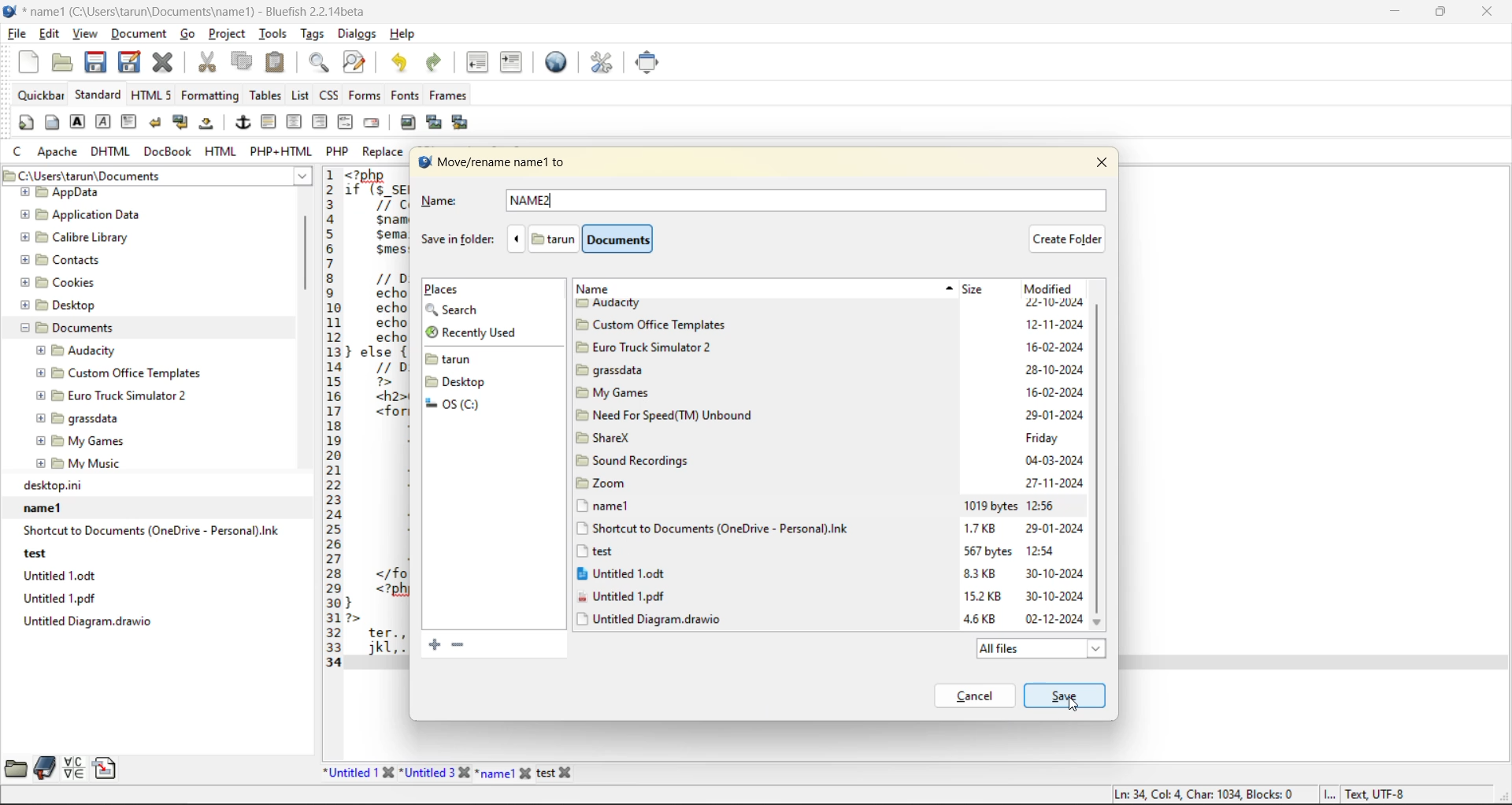 The image size is (1512, 805). Describe the element at coordinates (132, 61) in the screenshot. I see `save as` at that location.